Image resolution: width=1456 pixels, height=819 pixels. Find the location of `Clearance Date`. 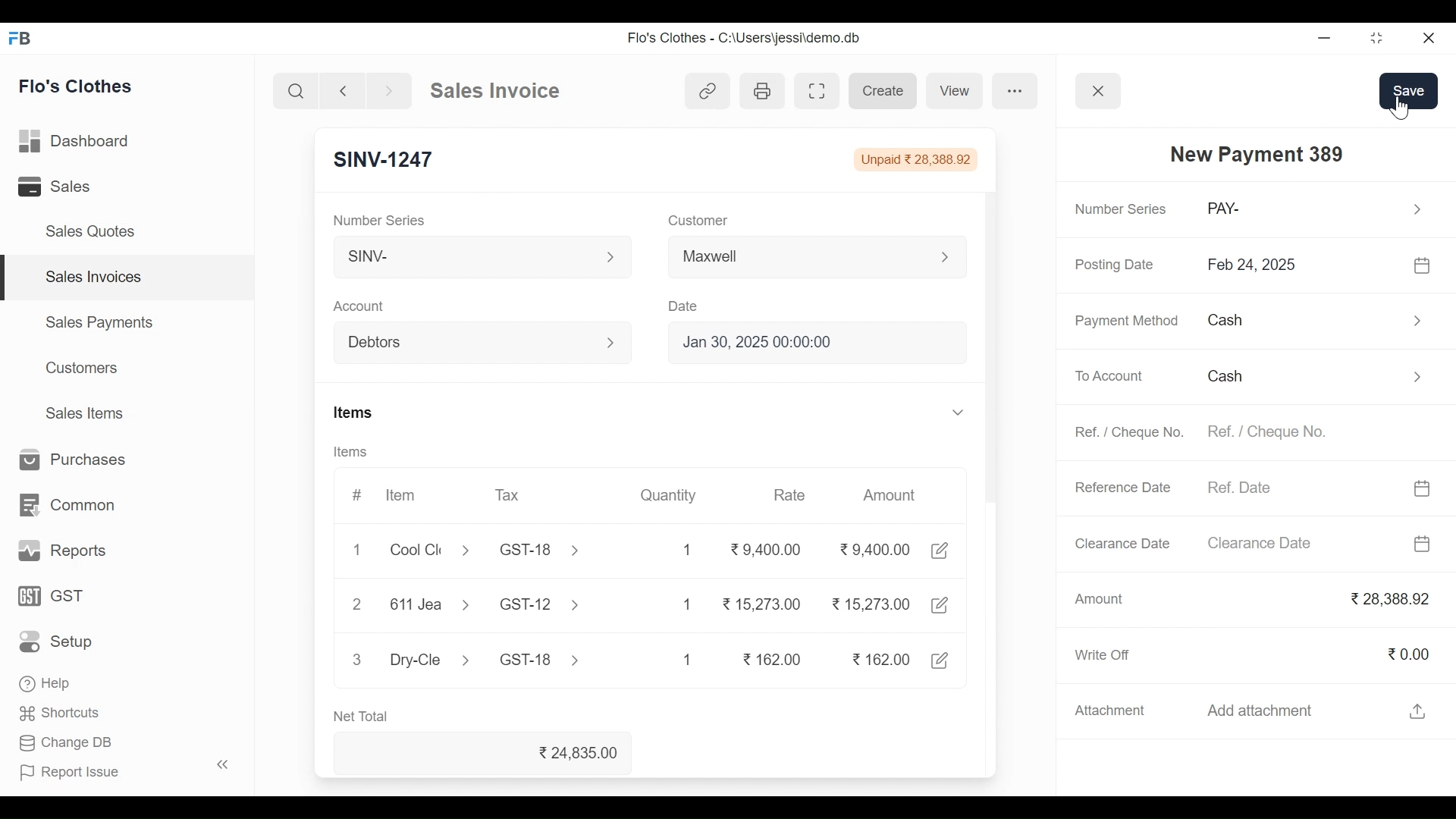

Clearance Date is located at coordinates (1321, 544).